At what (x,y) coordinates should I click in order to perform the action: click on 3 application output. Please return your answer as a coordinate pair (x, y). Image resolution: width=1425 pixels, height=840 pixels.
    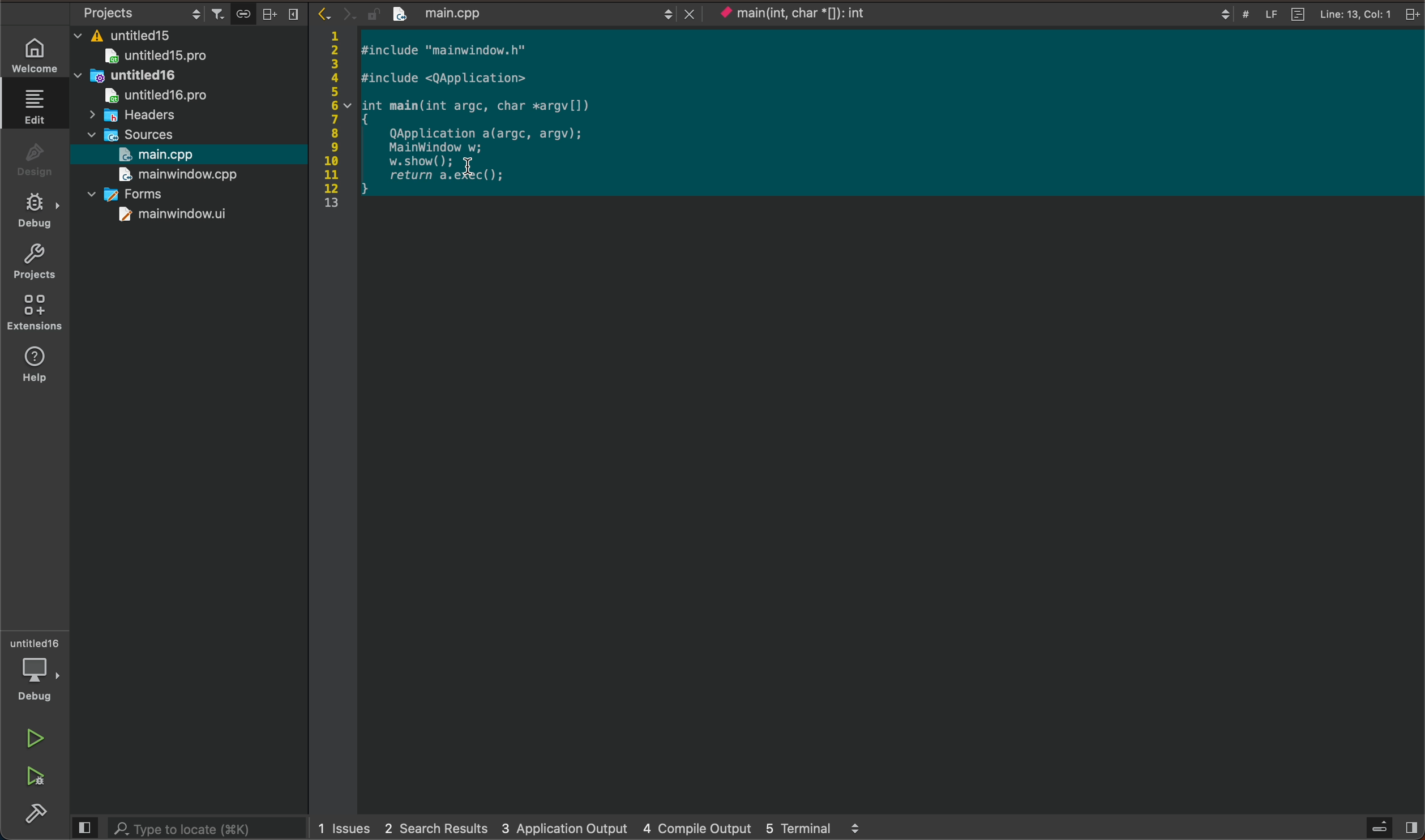
    Looking at the image, I should click on (566, 826).